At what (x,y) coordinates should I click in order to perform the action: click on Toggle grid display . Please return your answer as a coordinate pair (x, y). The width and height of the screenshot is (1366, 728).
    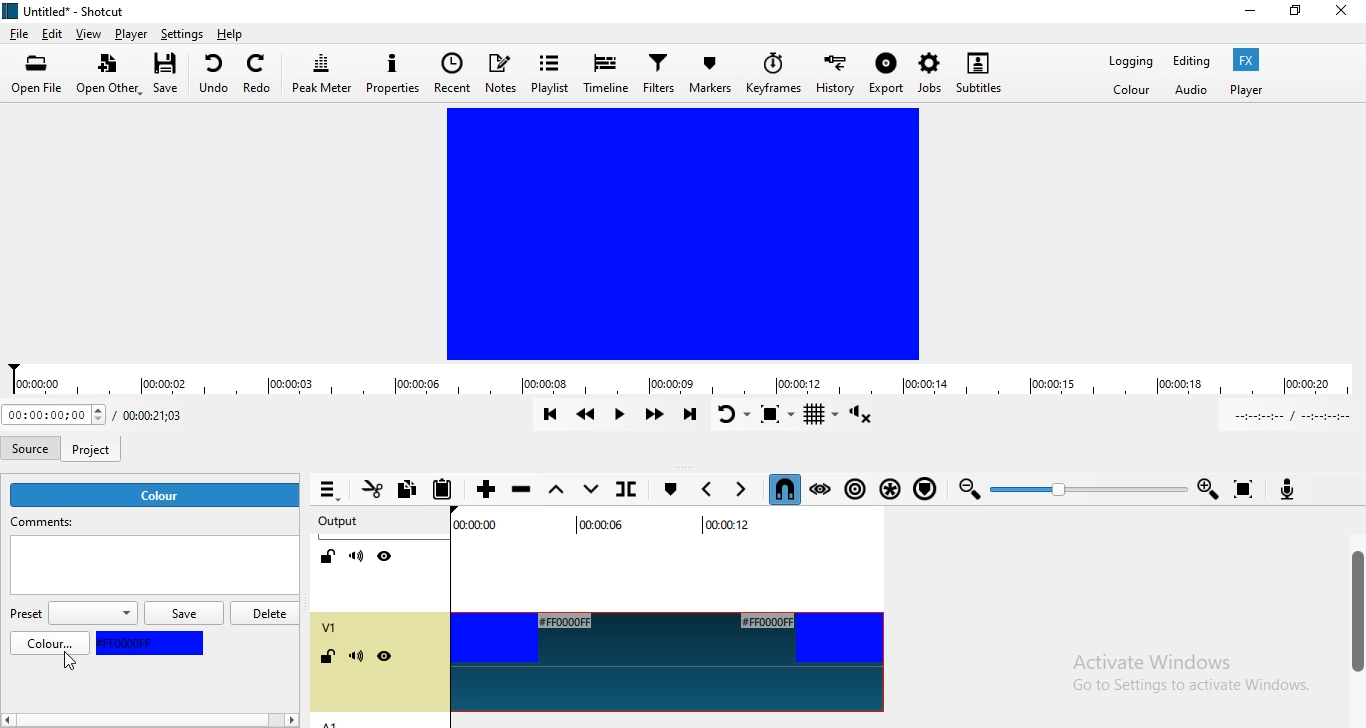
    Looking at the image, I should click on (821, 415).